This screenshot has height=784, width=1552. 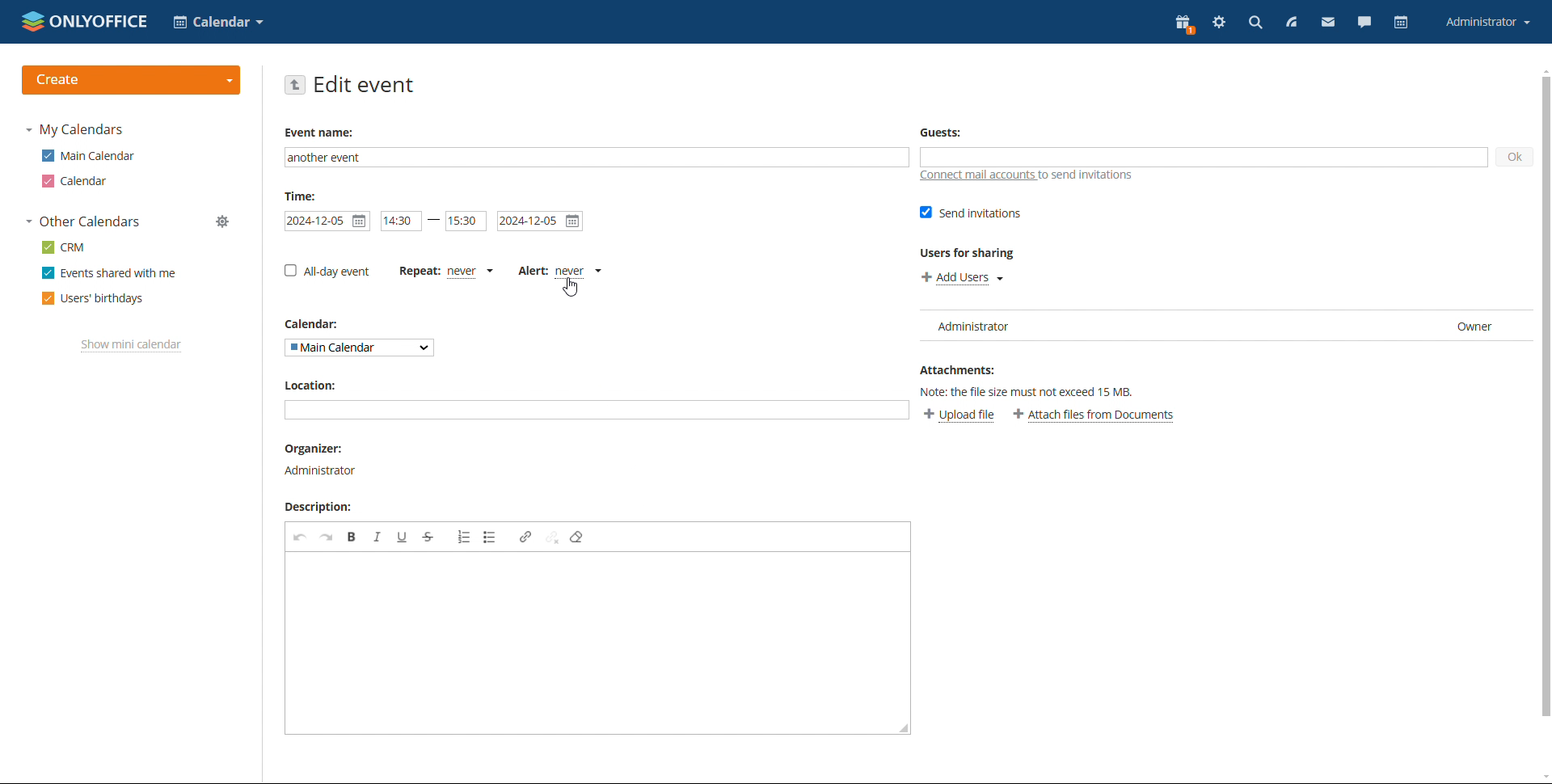 I want to click on Users for sharing, so click(x=969, y=253).